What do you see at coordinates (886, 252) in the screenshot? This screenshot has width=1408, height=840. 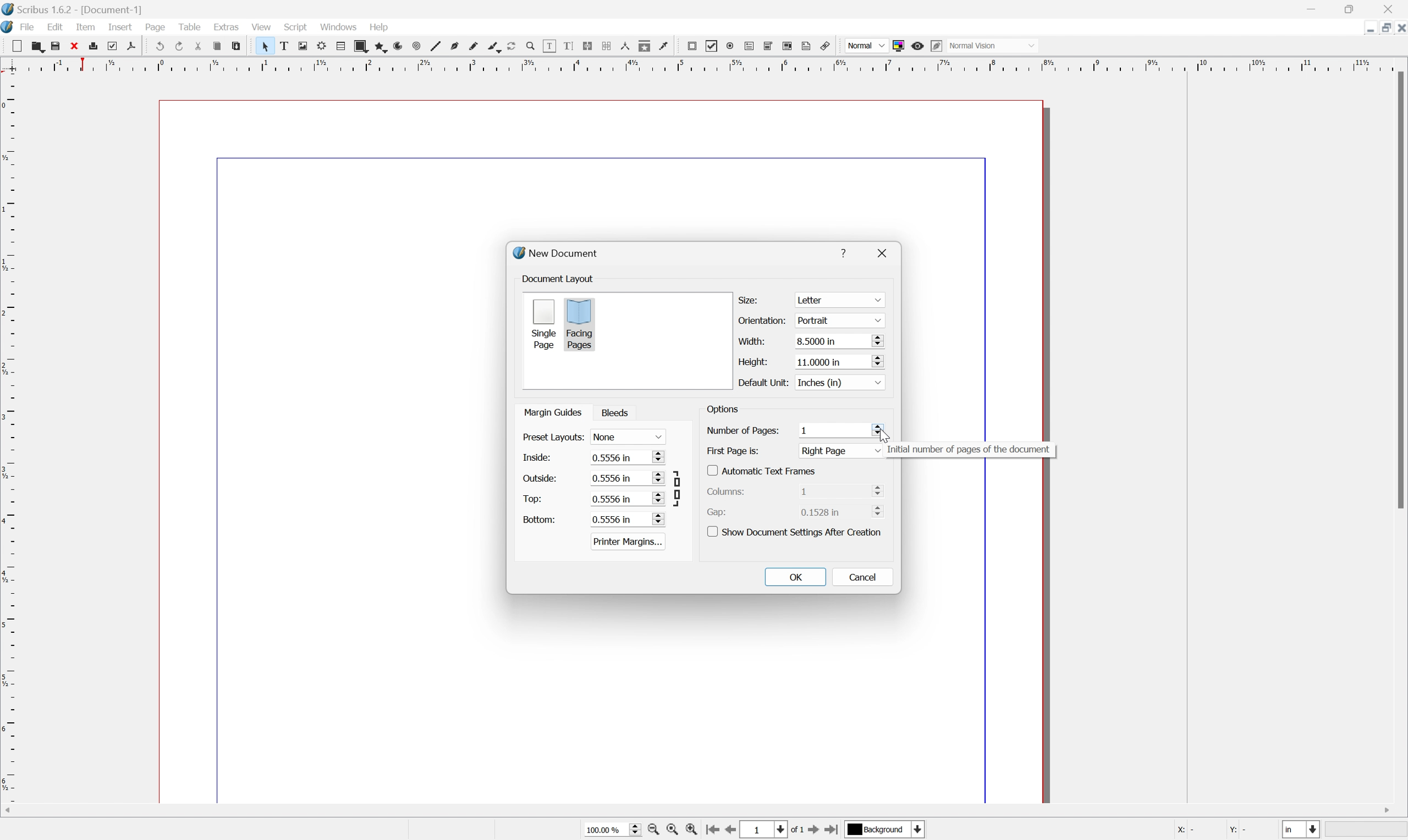 I see `close` at bounding box center [886, 252].